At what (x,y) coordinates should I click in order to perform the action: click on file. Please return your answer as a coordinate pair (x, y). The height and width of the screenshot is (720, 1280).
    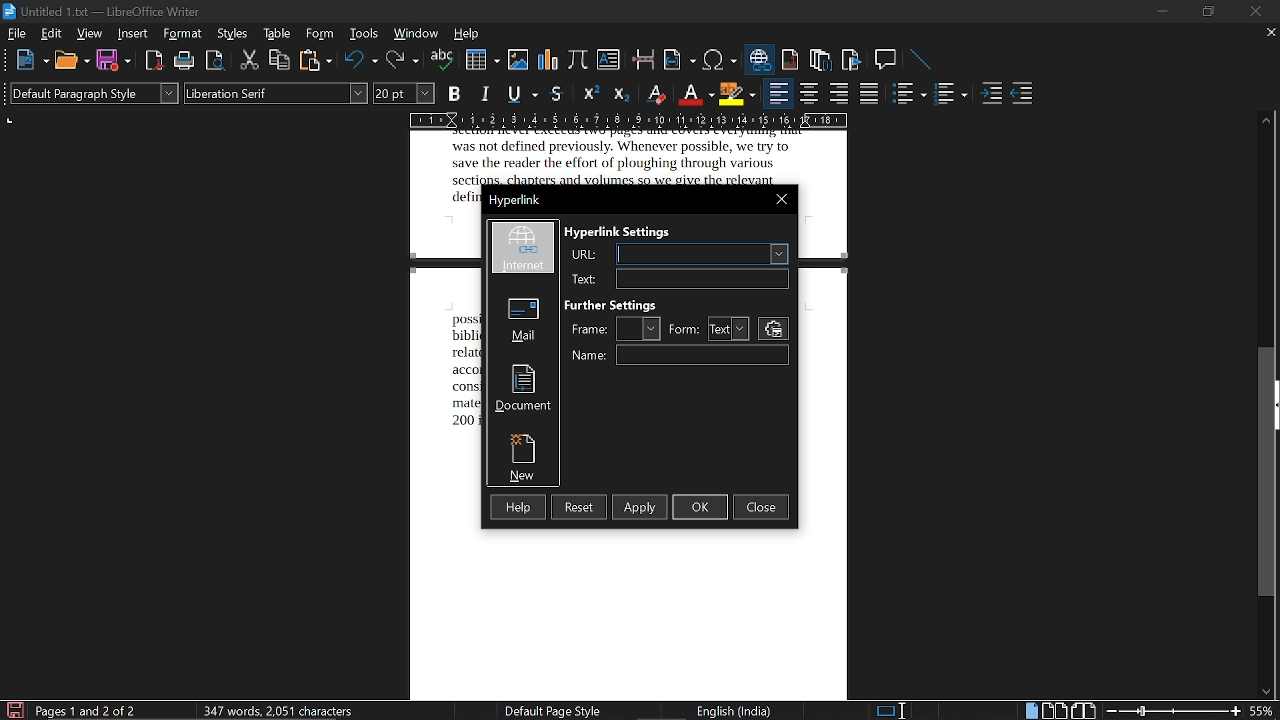
    Looking at the image, I should click on (16, 34).